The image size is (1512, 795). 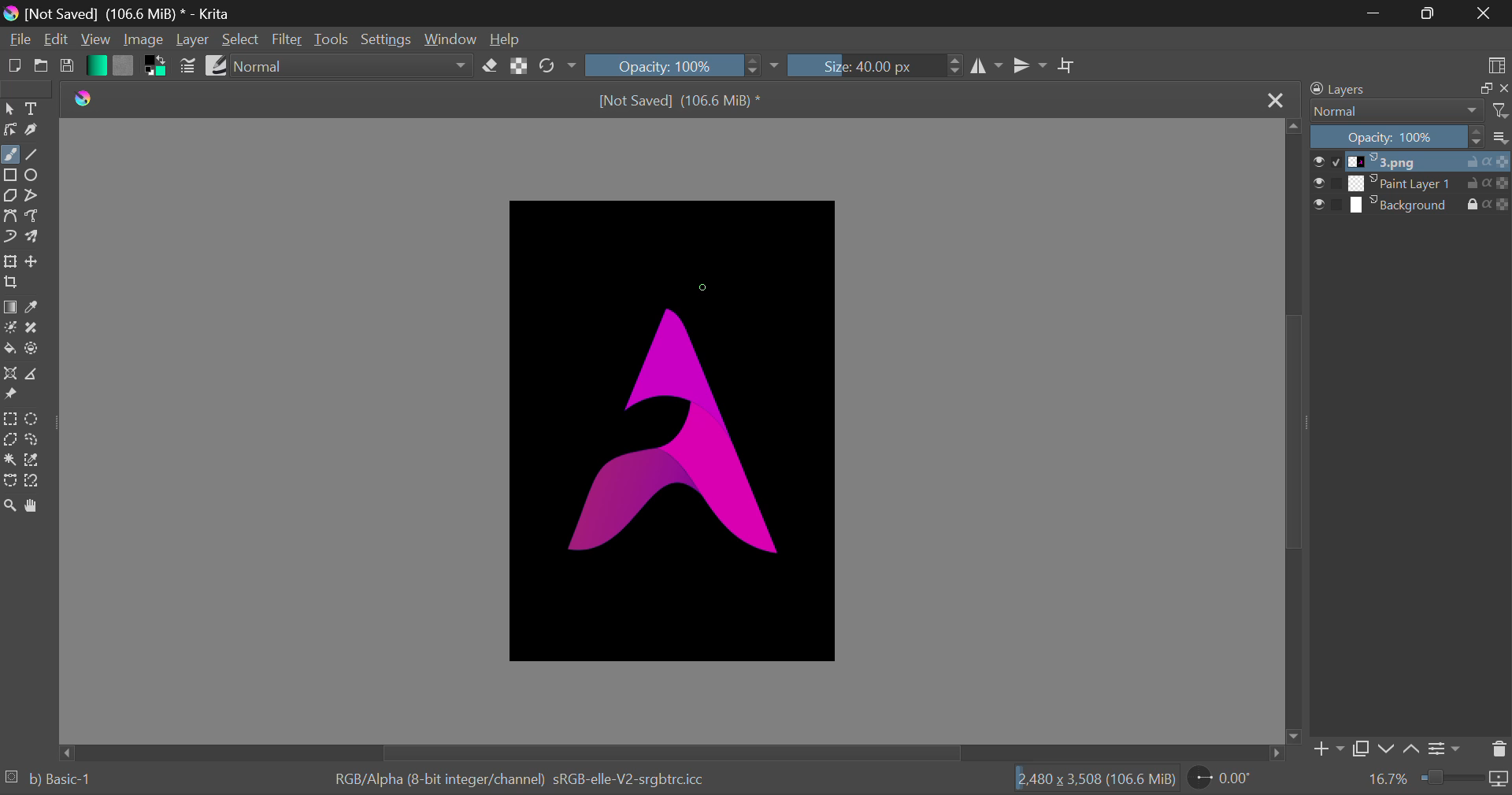 I want to click on Settings, so click(x=1447, y=747).